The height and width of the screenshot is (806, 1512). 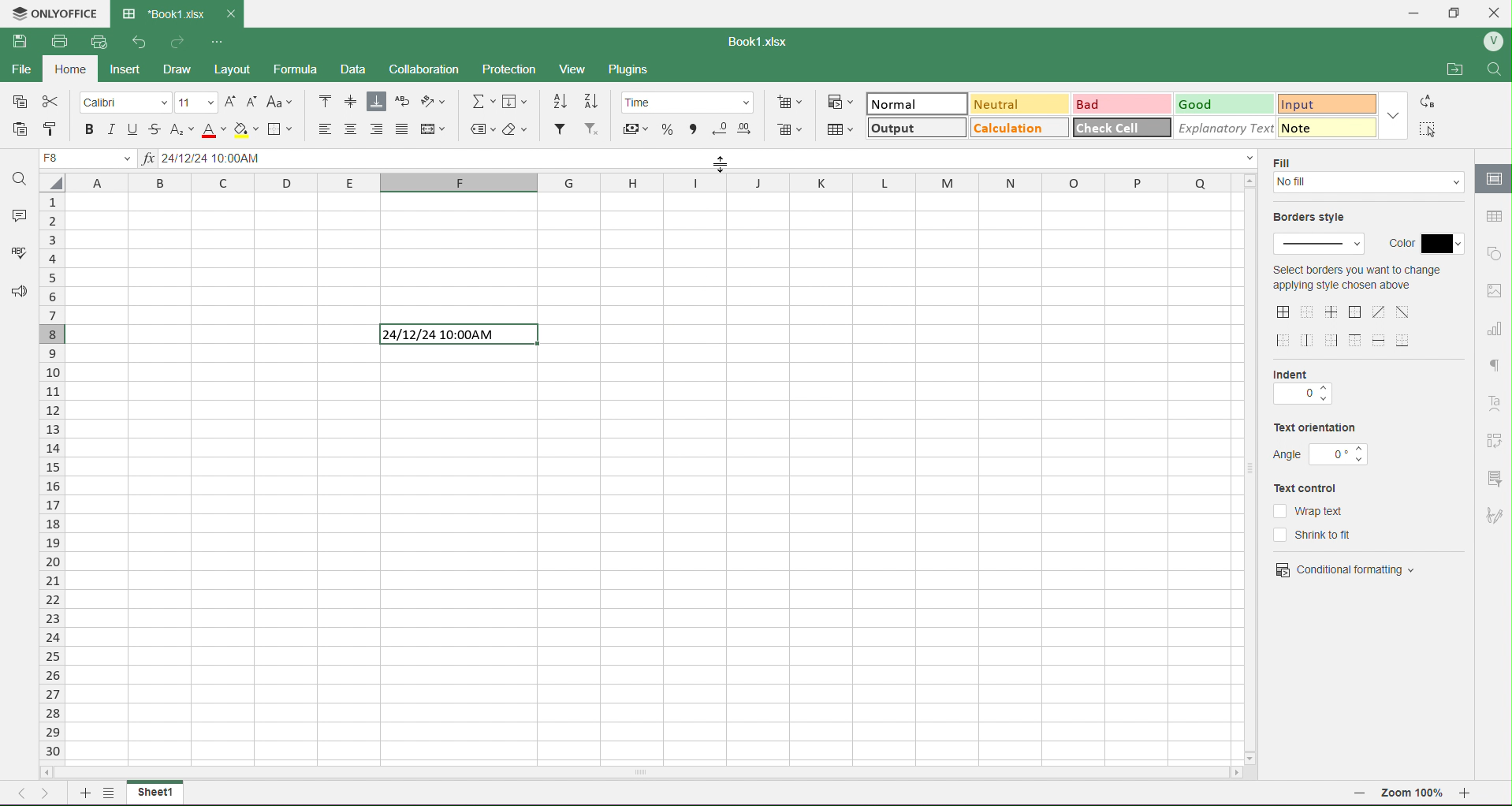 What do you see at coordinates (1307, 312) in the screenshot?
I see `no border` at bounding box center [1307, 312].